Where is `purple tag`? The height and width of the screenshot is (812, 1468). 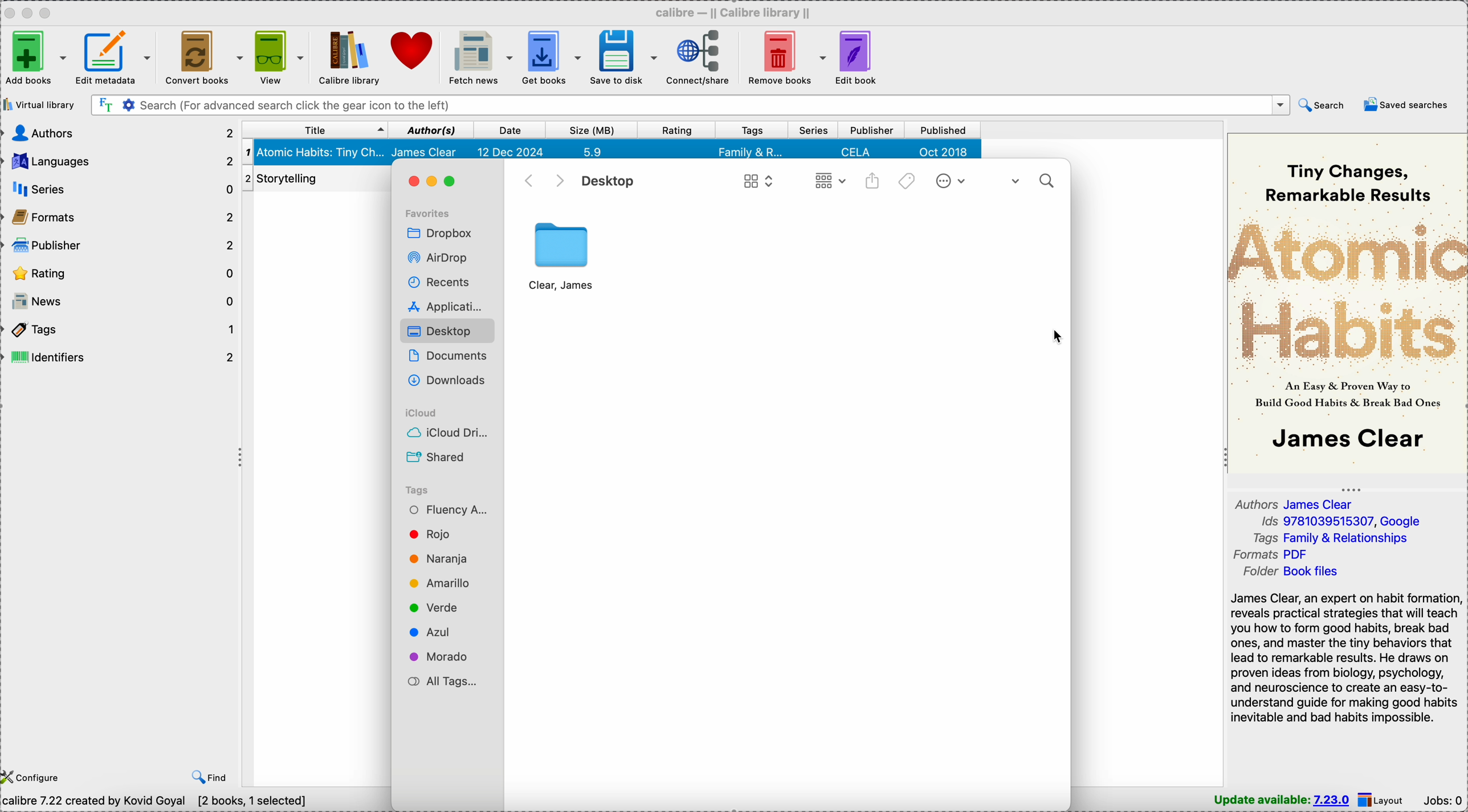 purple tag is located at coordinates (442, 655).